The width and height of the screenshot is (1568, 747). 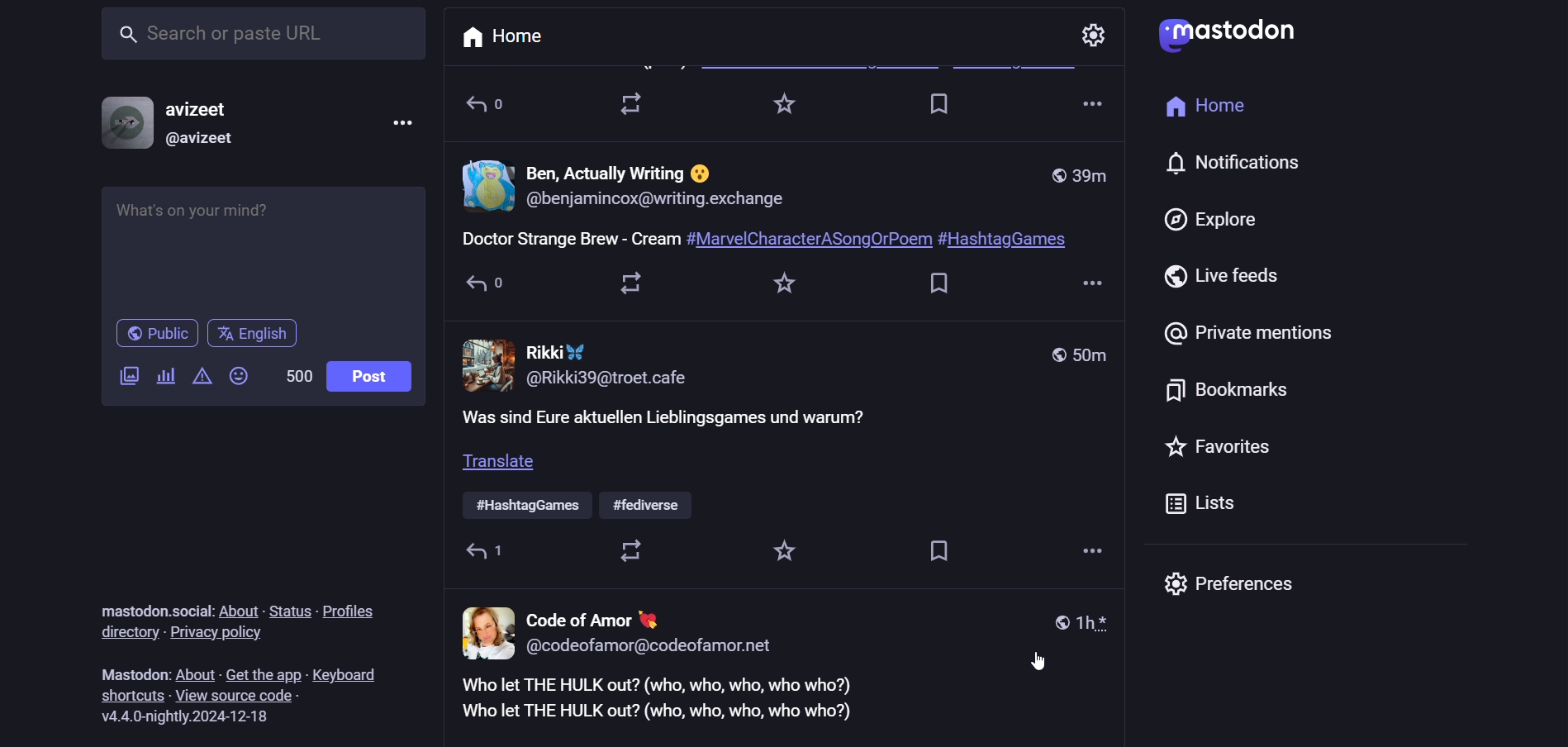 What do you see at coordinates (289, 607) in the screenshot?
I see `status` at bounding box center [289, 607].